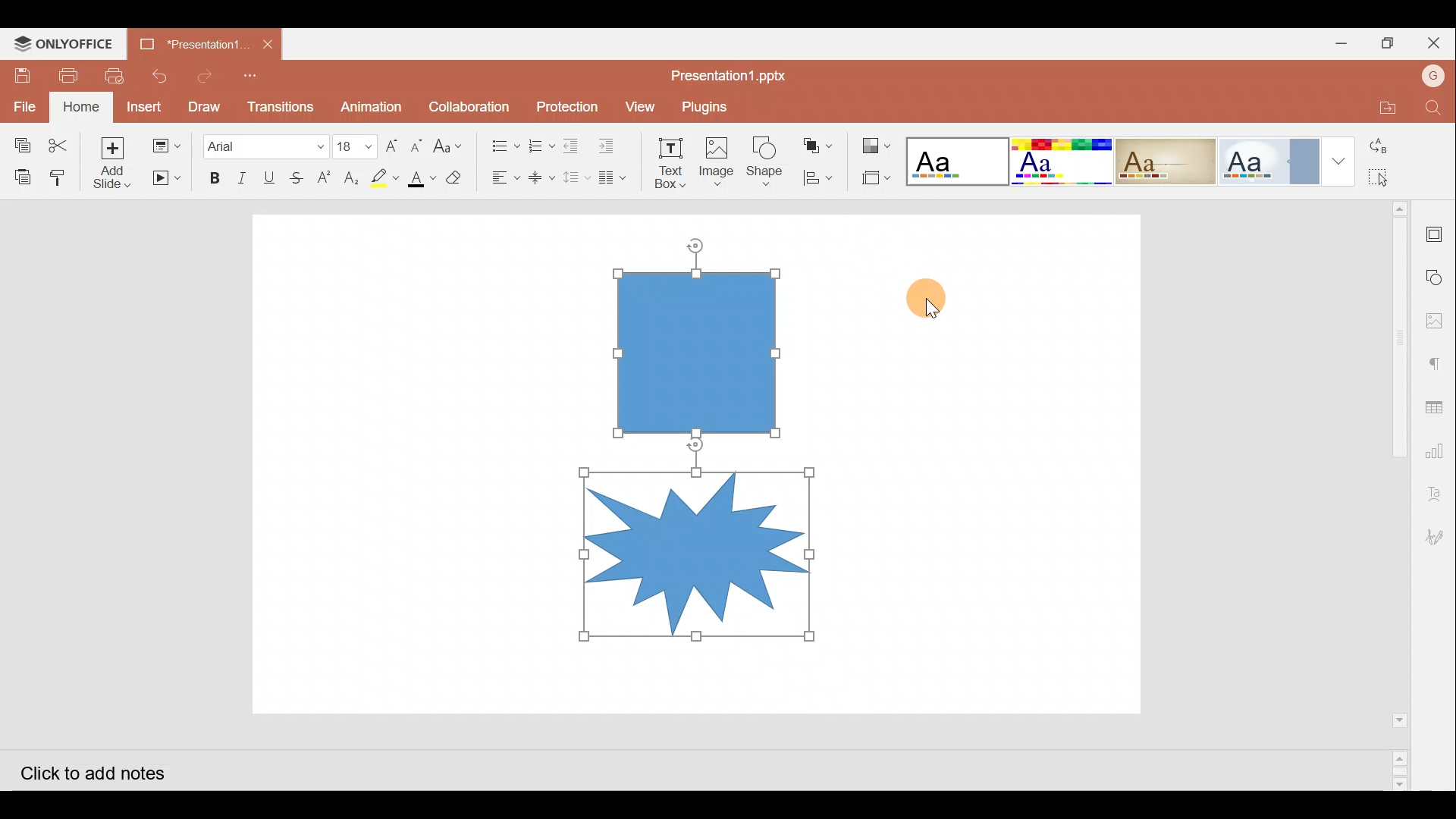  What do you see at coordinates (213, 175) in the screenshot?
I see `Bold` at bounding box center [213, 175].